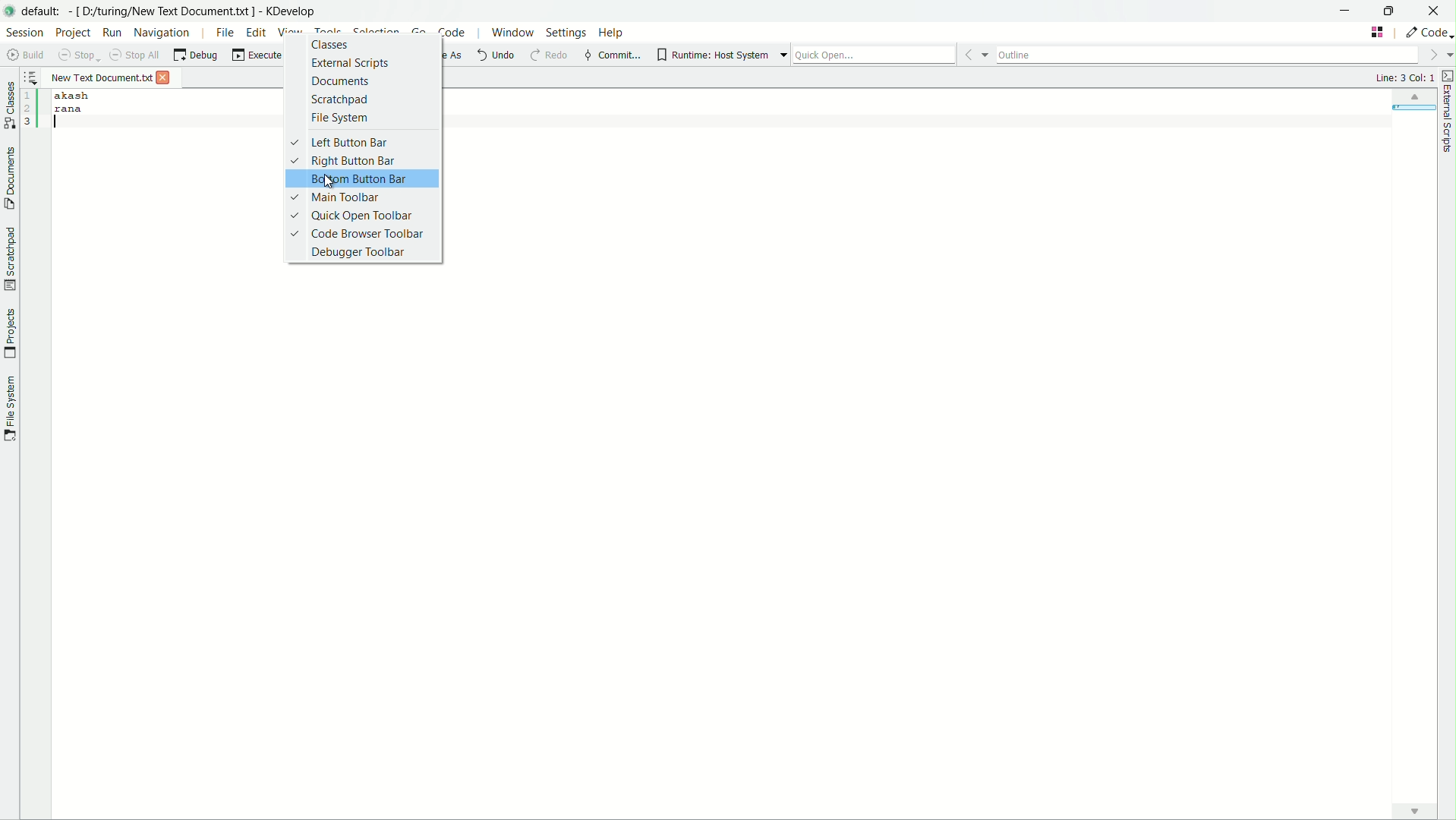  I want to click on close, so click(1438, 10).